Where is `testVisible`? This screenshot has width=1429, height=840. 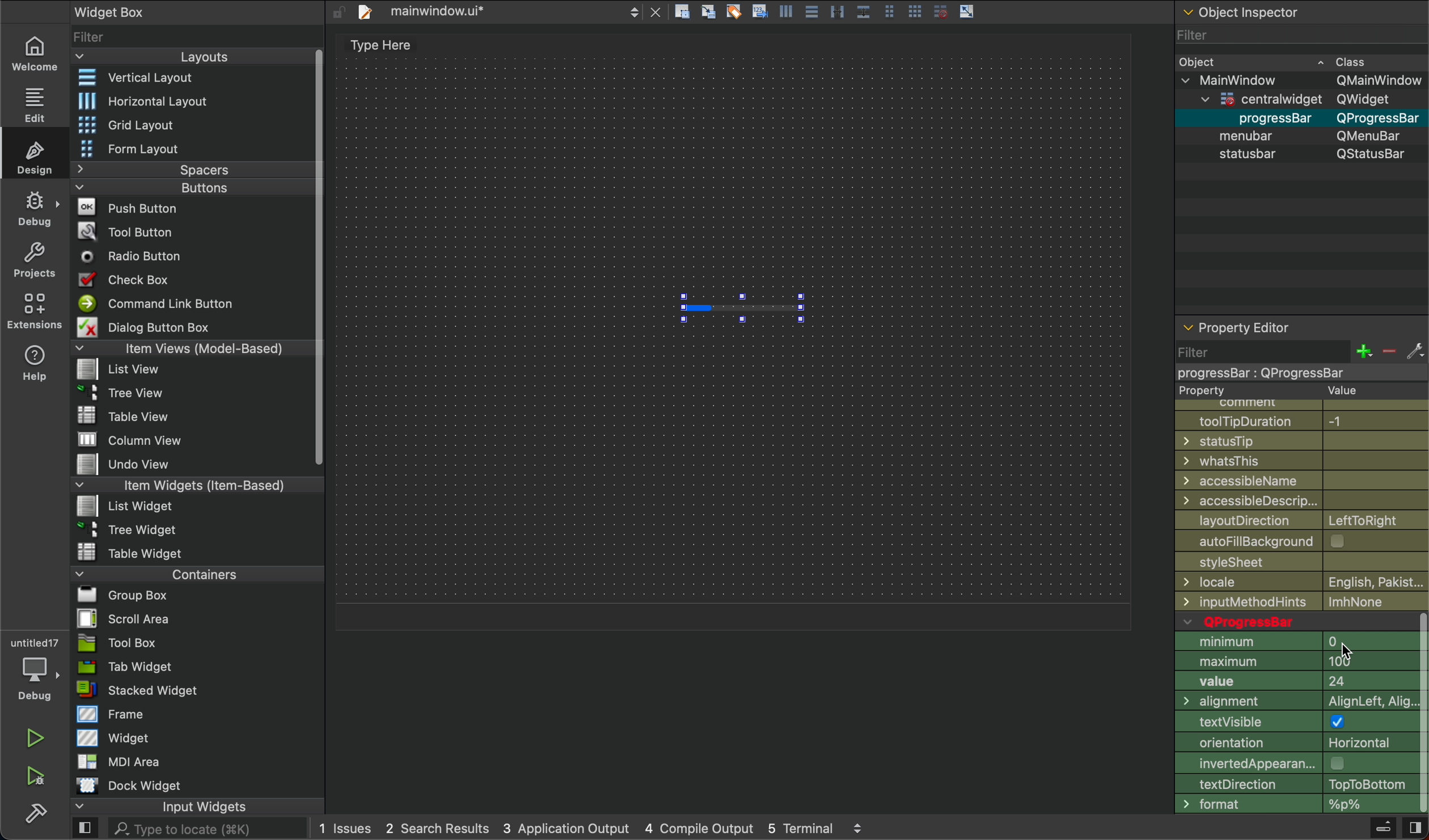 testVisible is located at coordinates (1294, 724).